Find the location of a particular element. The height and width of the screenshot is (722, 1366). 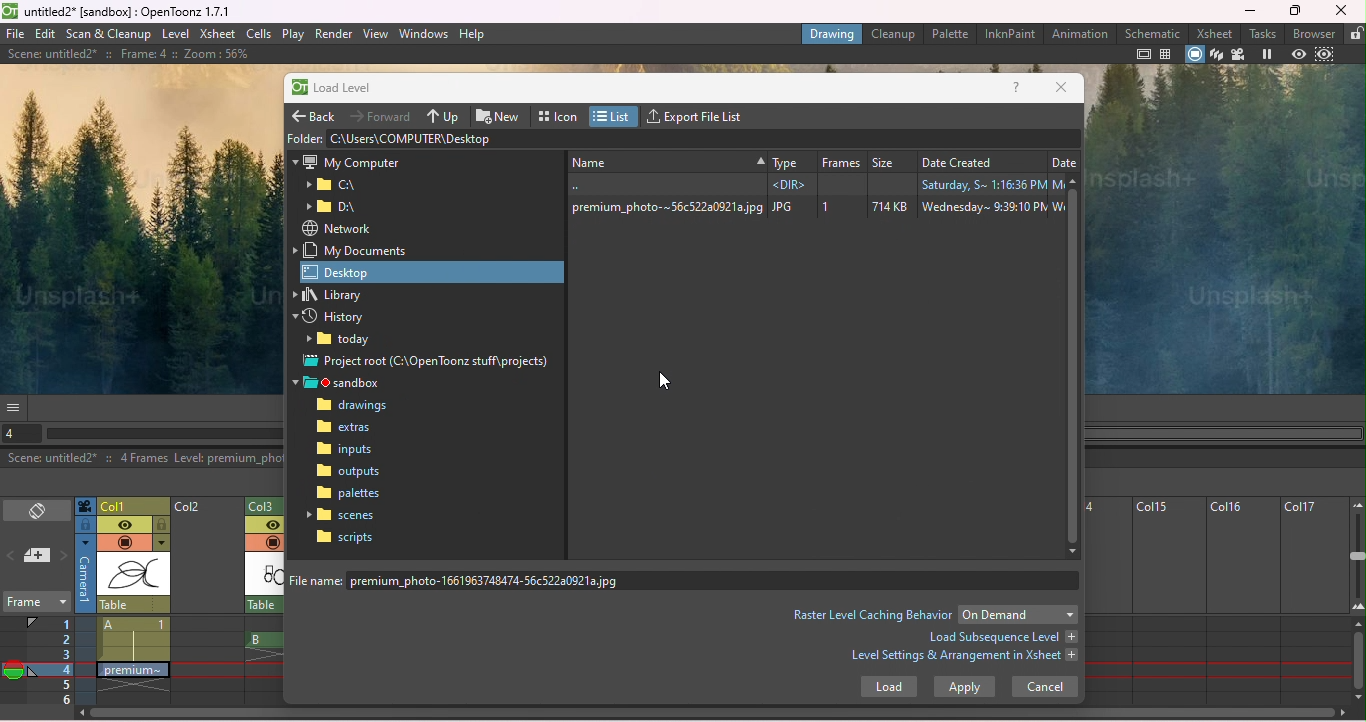

Help is located at coordinates (473, 33).